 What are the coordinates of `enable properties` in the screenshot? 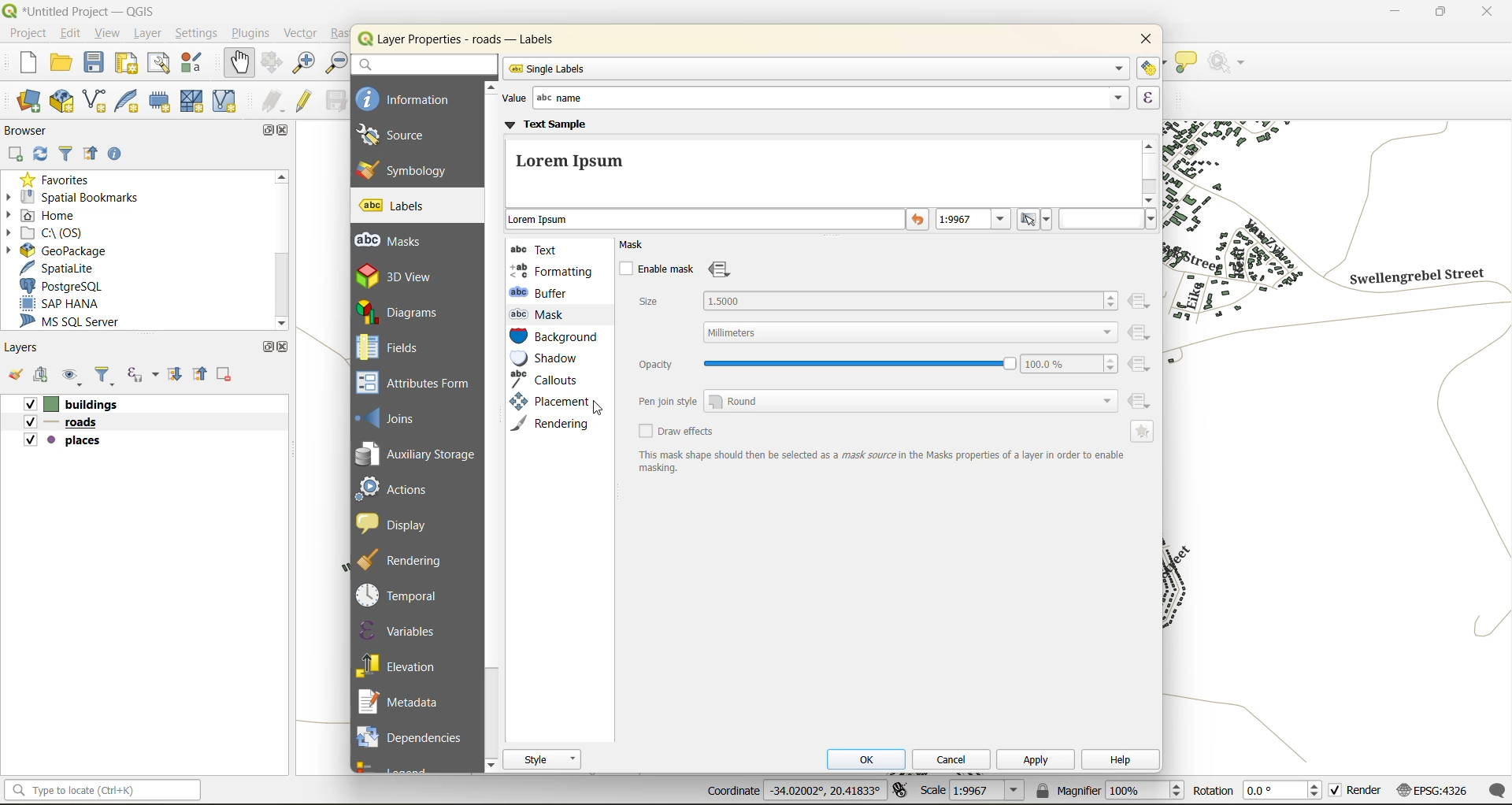 It's located at (117, 154).